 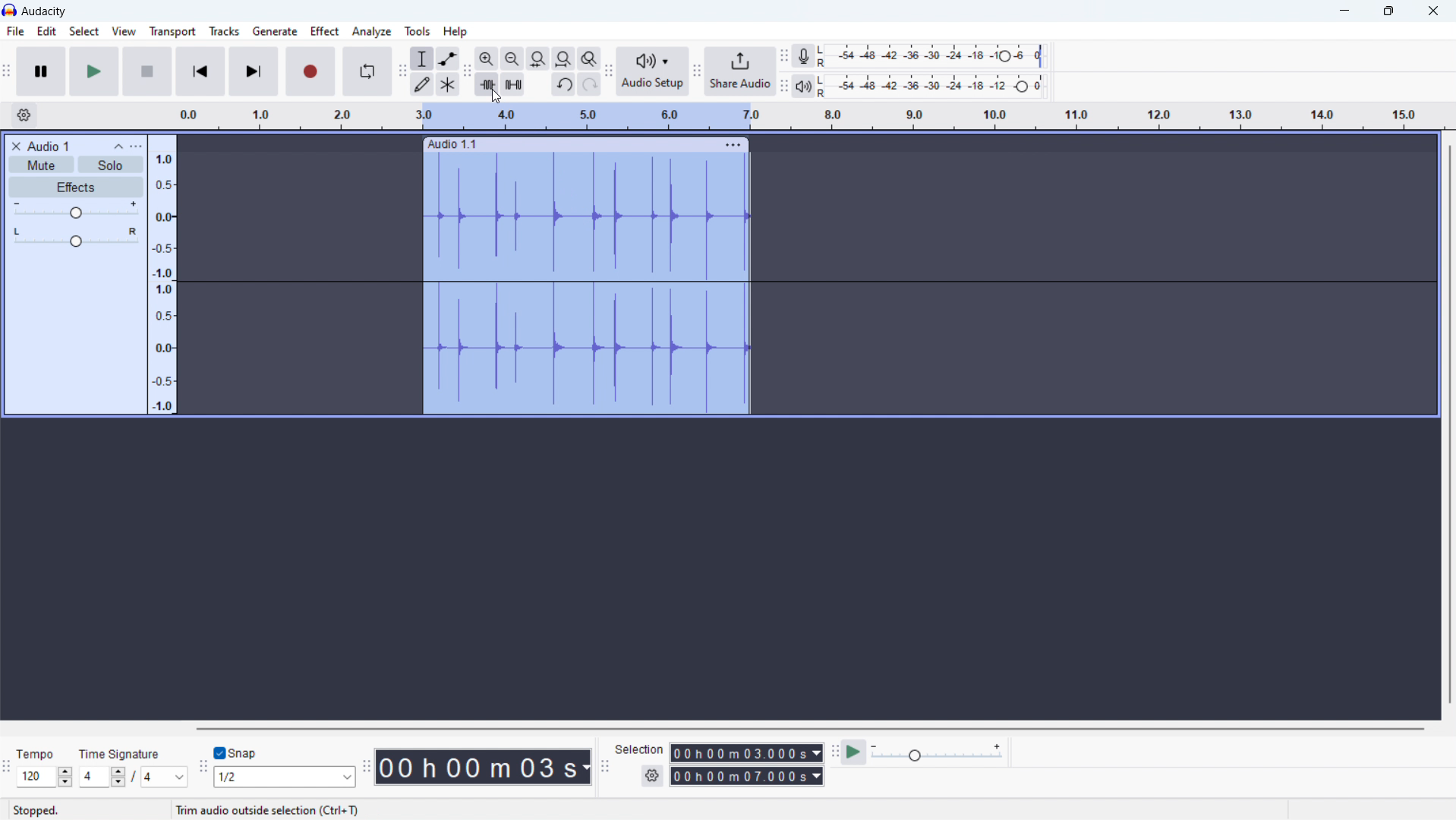 What do you see at coordinates (784, 56) in the screenshot?
I see `recording meter toolbar` at bounding box center [784, 56].